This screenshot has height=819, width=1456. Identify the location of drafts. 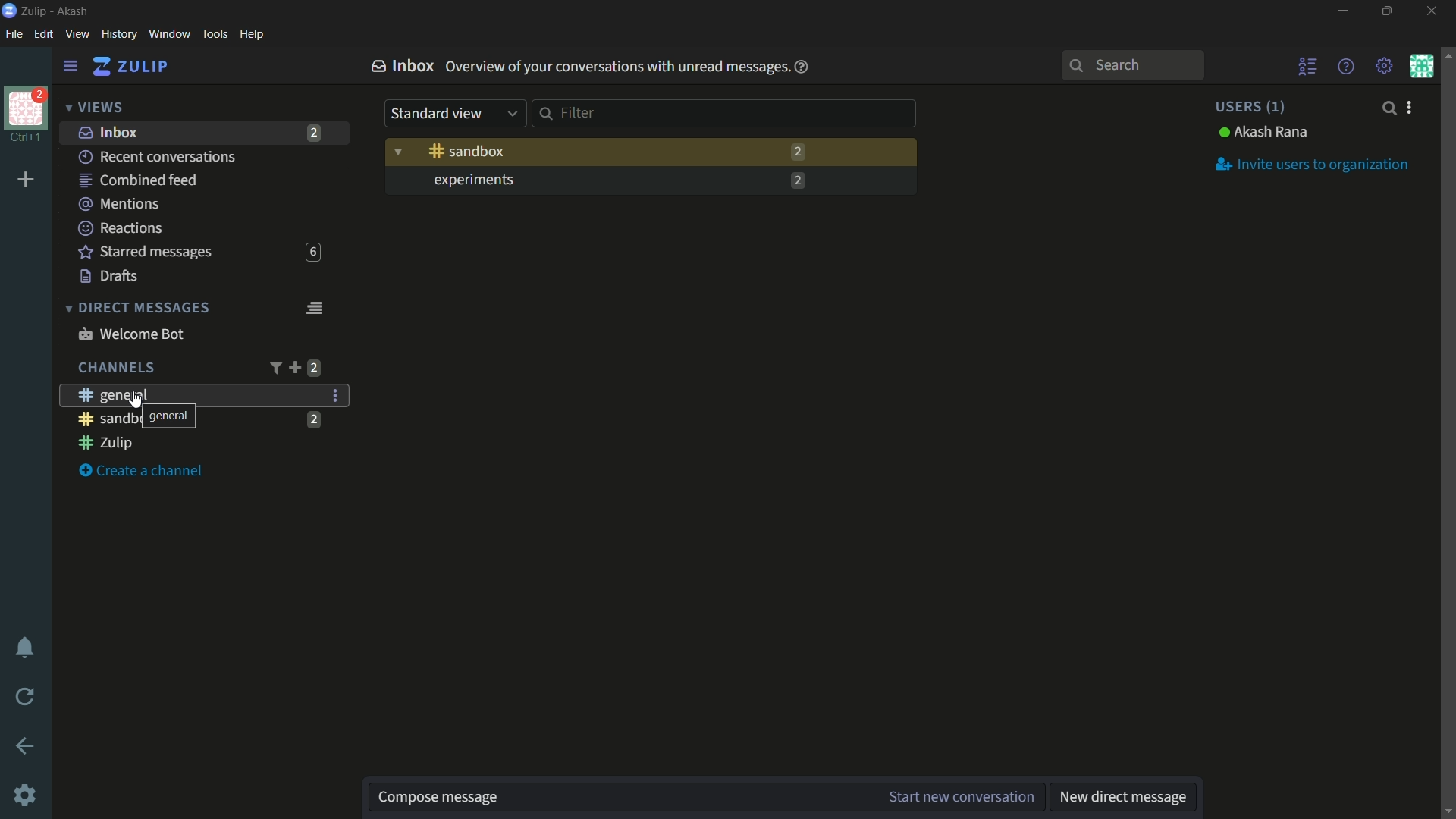
(109, 276).